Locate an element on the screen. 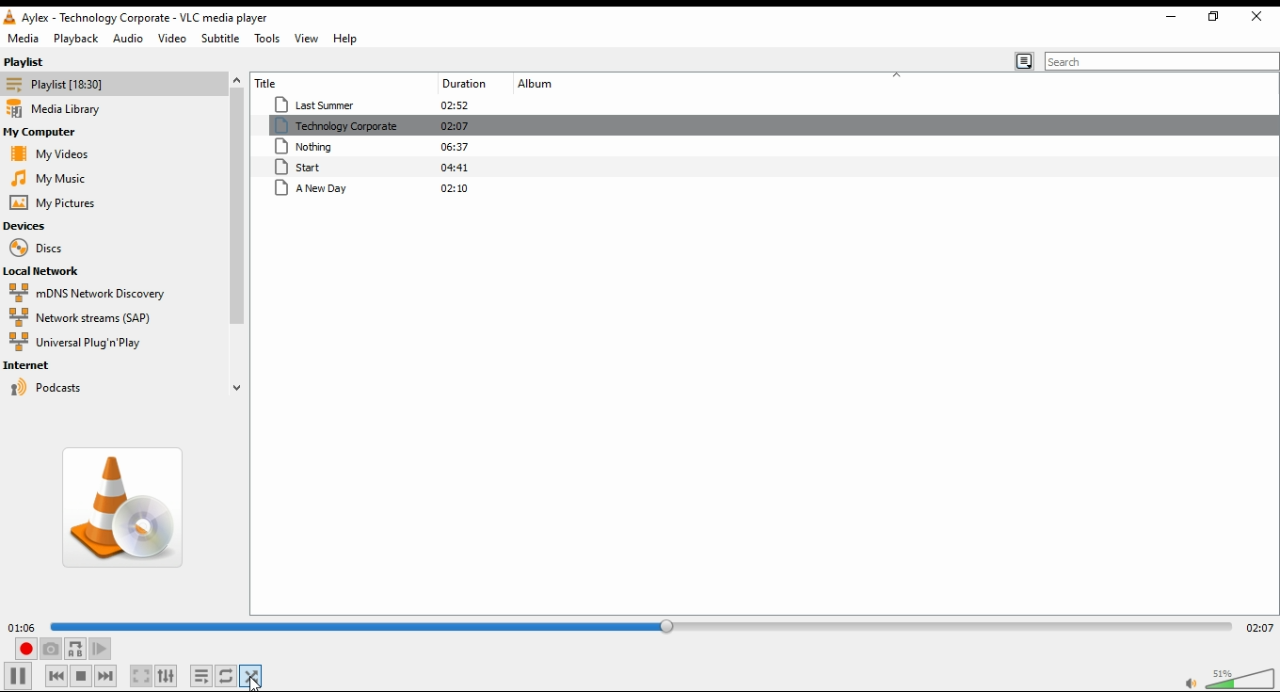 The height and width of the screenshot is (692, 1280). playback is located at coordinates (77, 38).